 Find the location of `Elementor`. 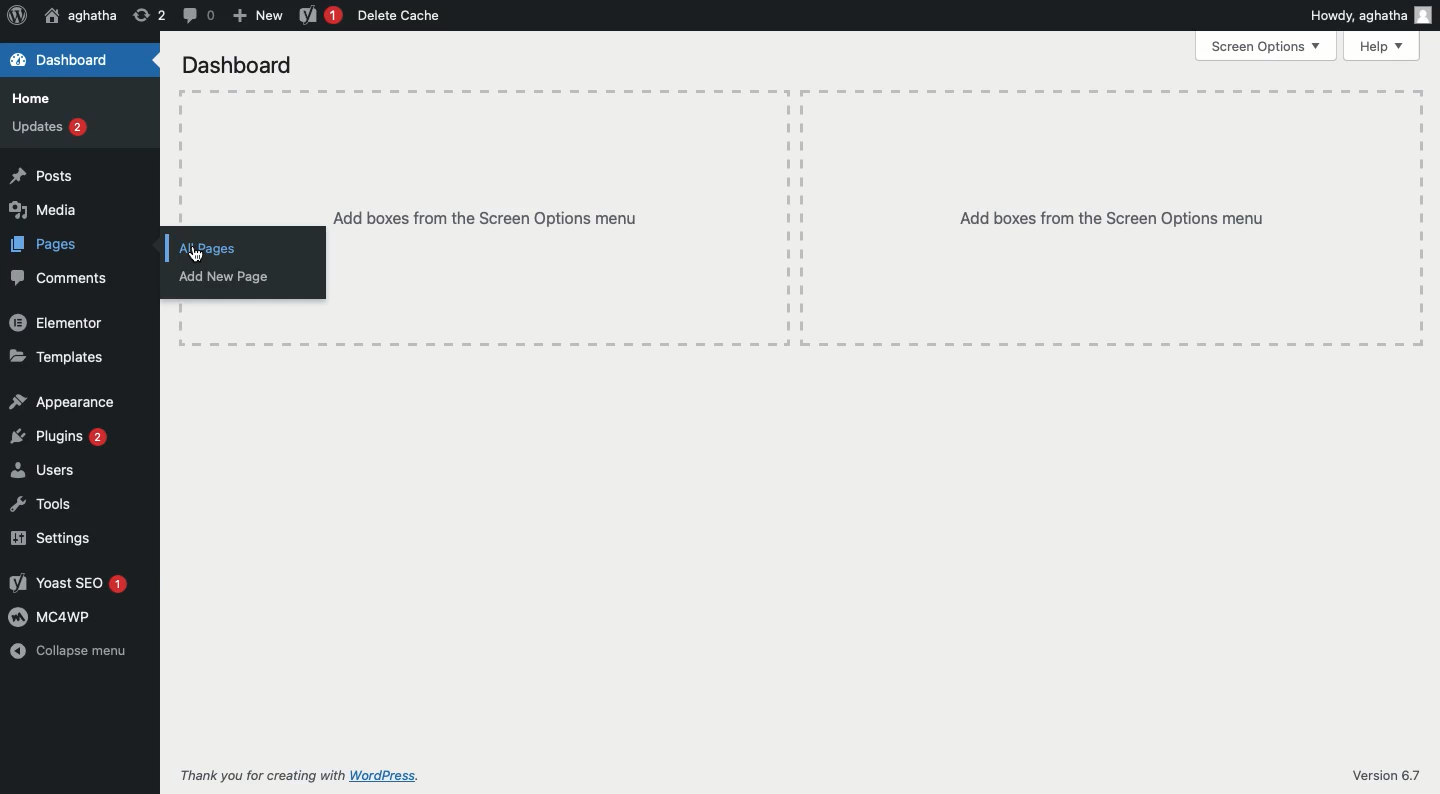

Elementor is located at coordinates (59, 323).